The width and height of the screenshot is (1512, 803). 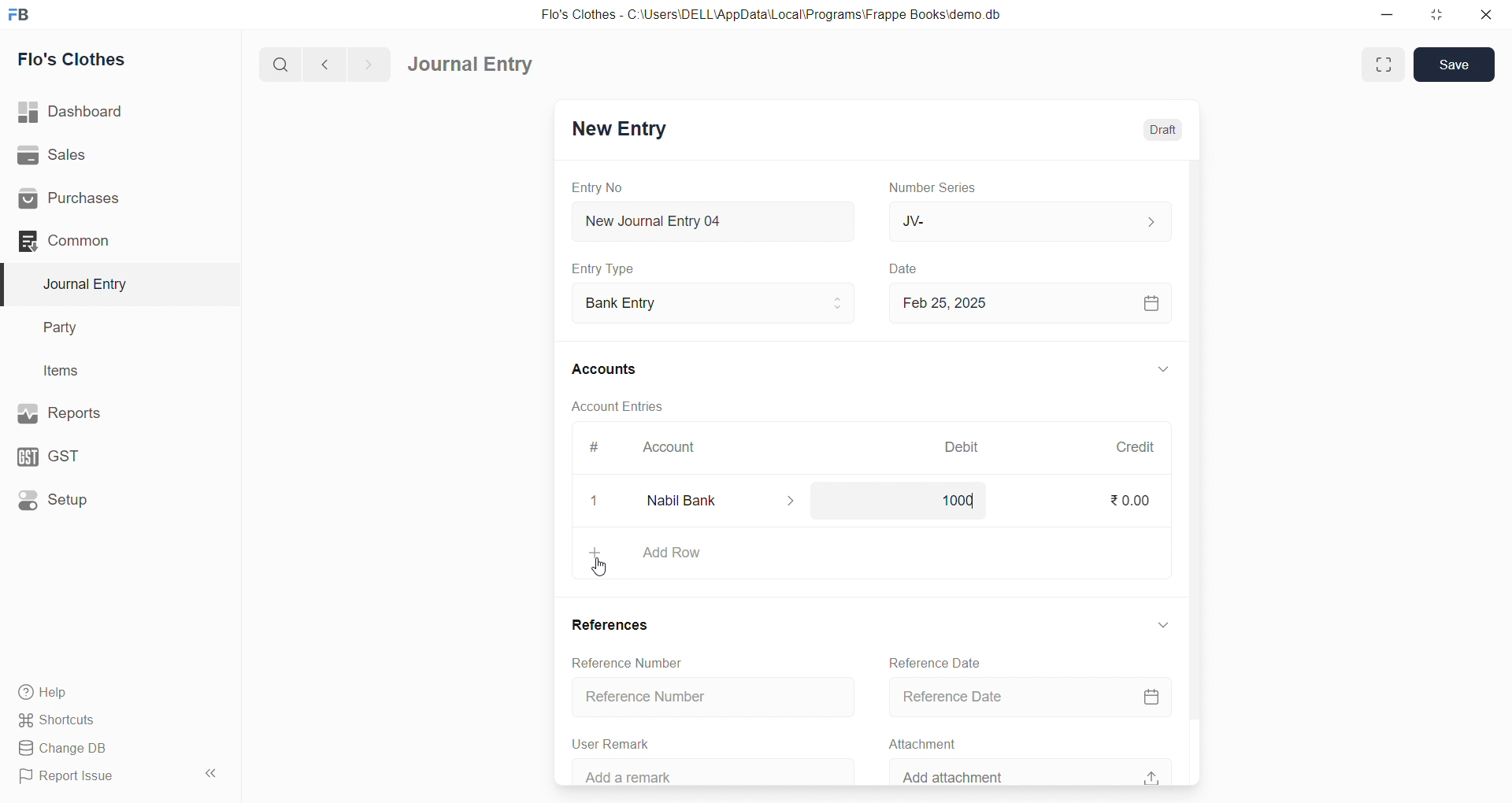 What do you see at coordinates (115, 719) in the screenshot?
I see `Shortcuts` at bounding box center [115, 719].